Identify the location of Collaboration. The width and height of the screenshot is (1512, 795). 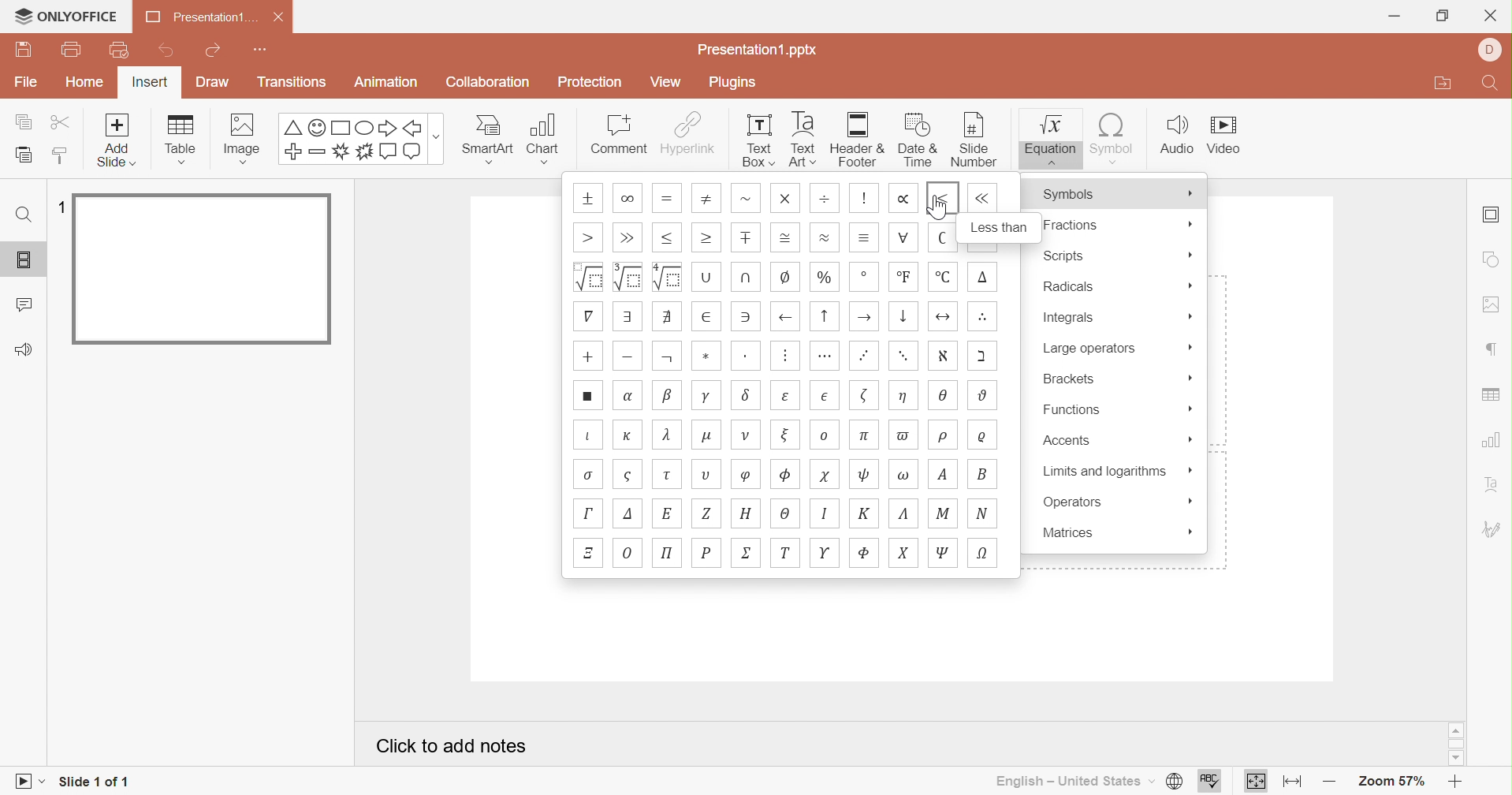
(488, 82).